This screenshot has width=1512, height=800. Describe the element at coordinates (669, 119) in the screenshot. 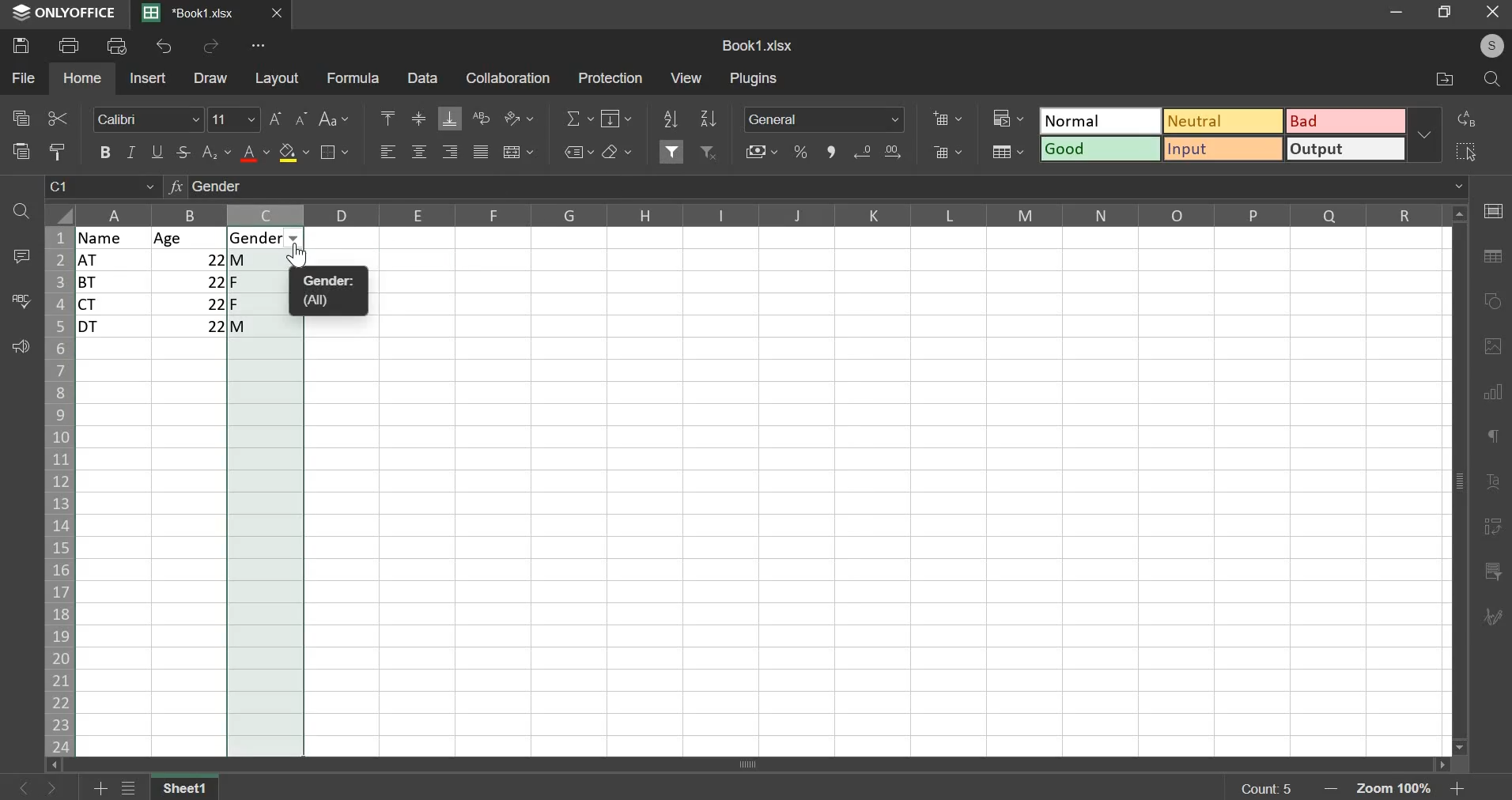

I see `sort` at that location.